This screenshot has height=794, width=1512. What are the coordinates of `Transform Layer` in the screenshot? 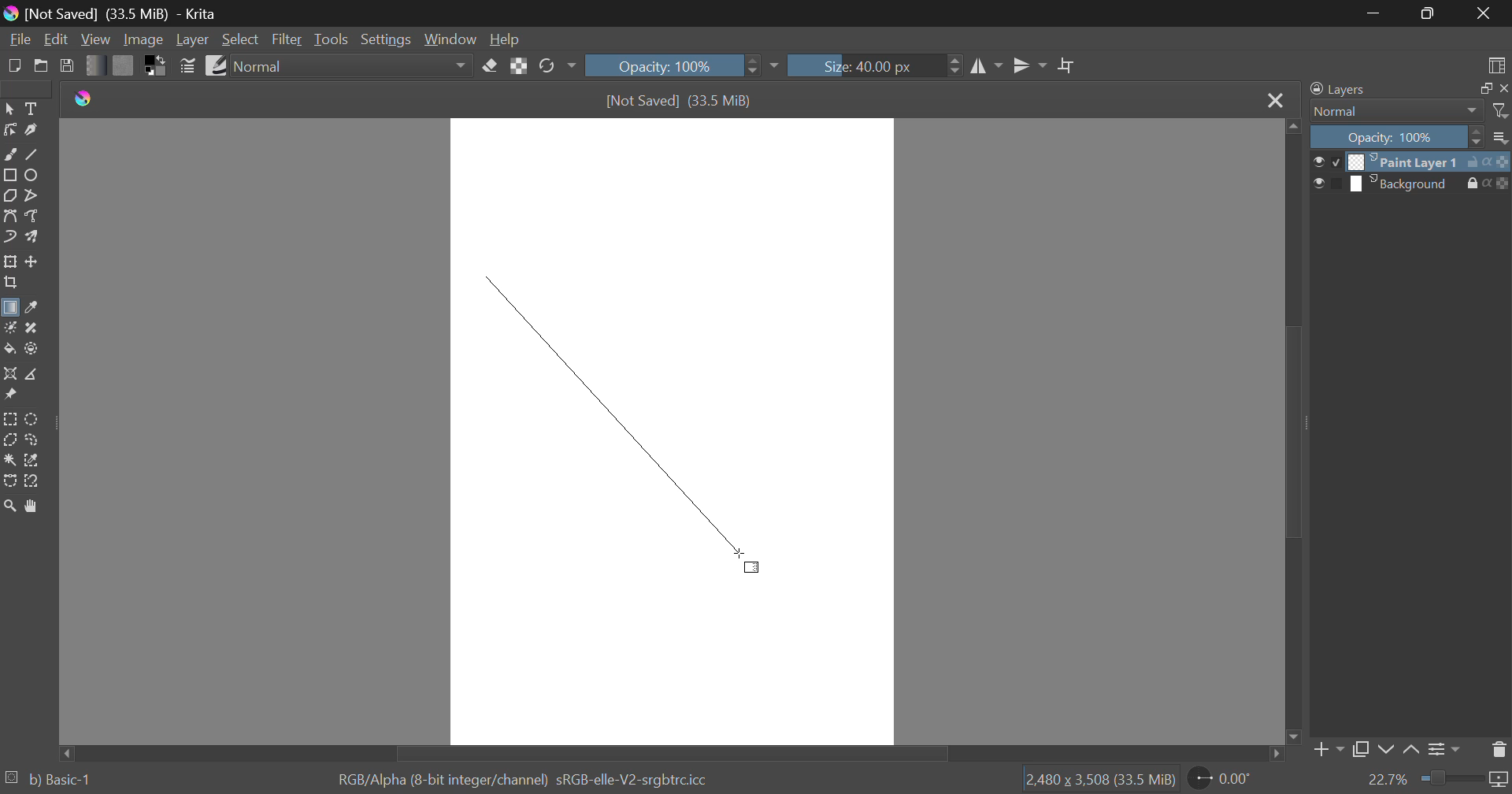 It's located at (9, 262).